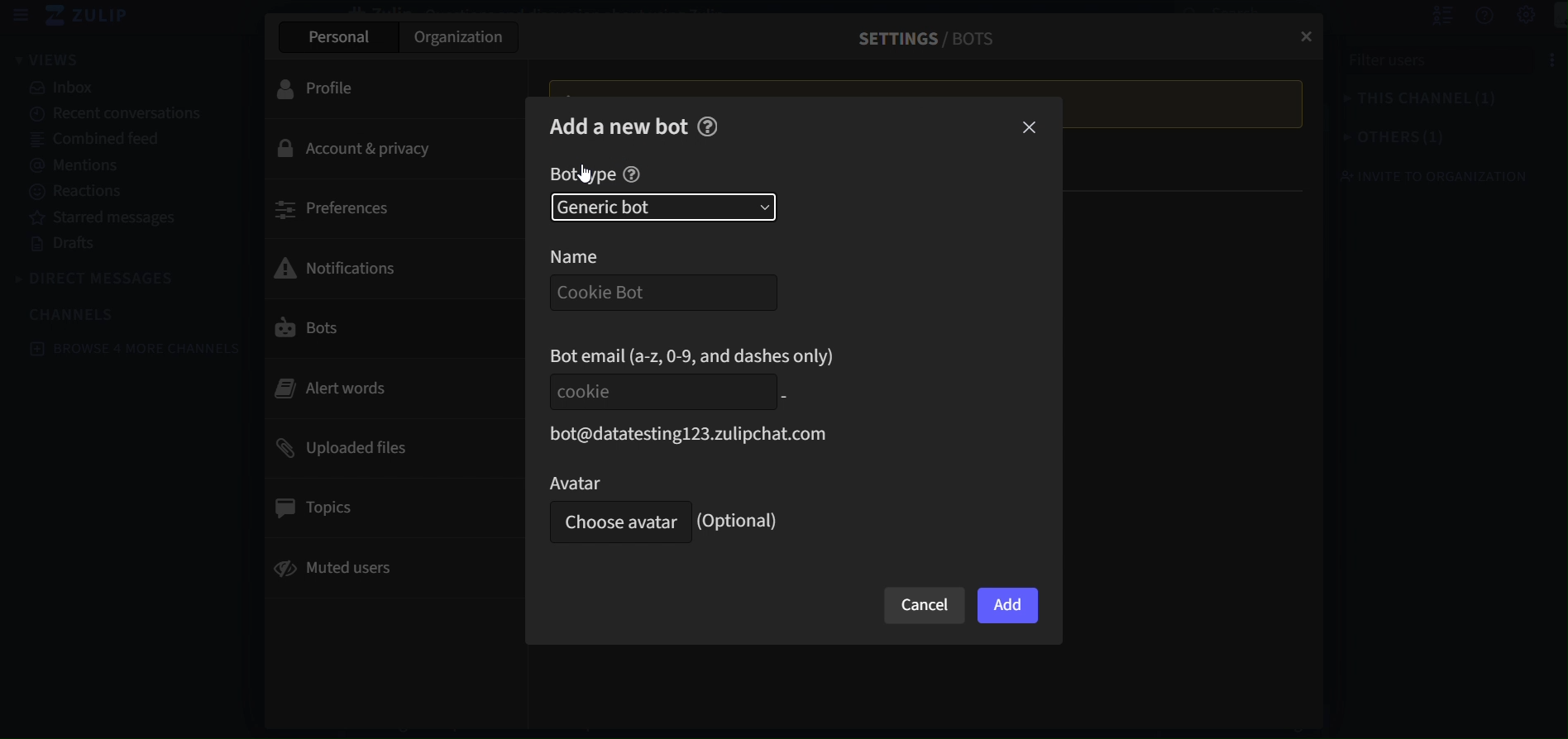  I want to click on account & privacy, so click(381, 150).